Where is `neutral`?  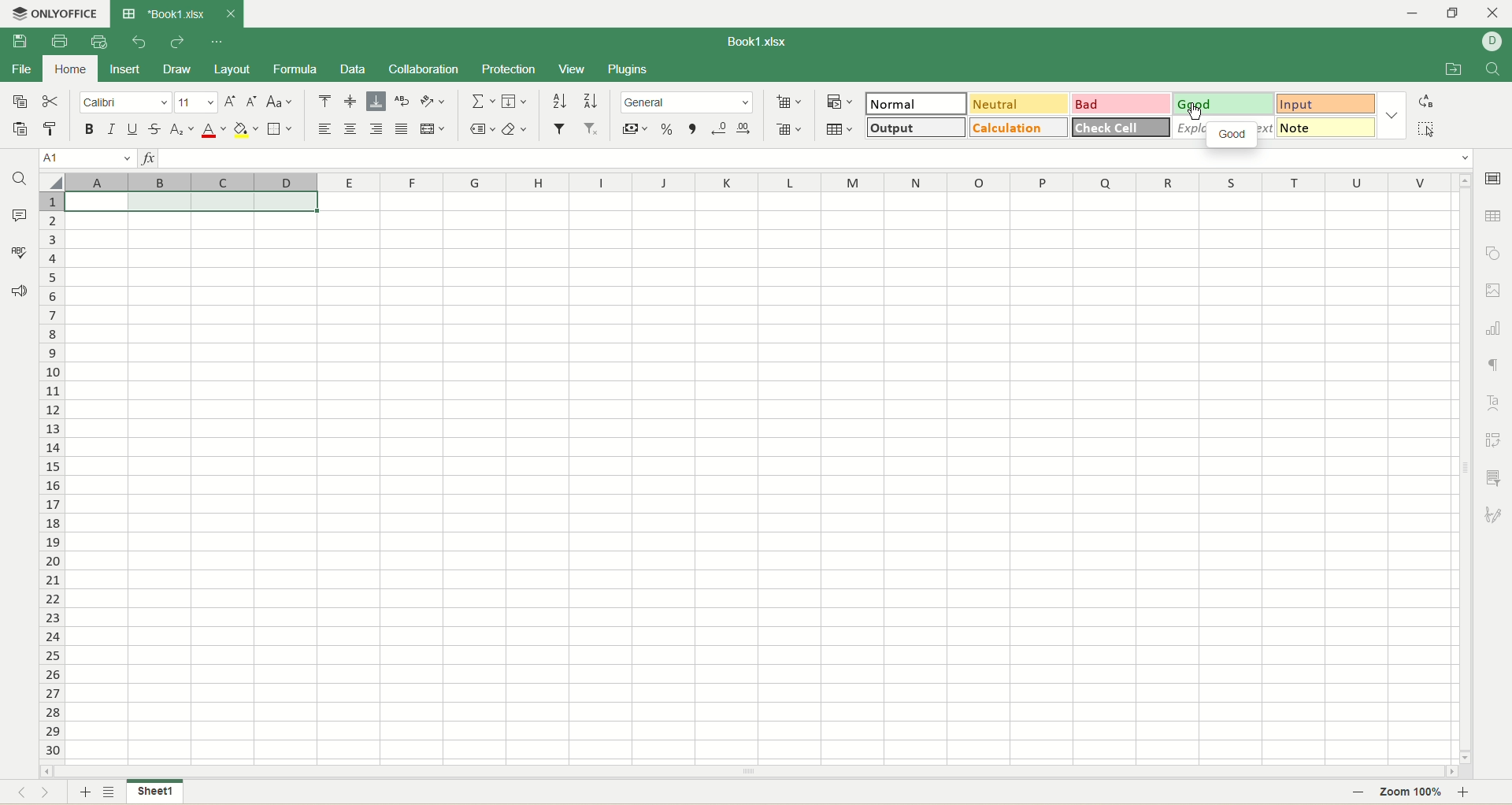 neutral is located at coordinates (1018, 102).